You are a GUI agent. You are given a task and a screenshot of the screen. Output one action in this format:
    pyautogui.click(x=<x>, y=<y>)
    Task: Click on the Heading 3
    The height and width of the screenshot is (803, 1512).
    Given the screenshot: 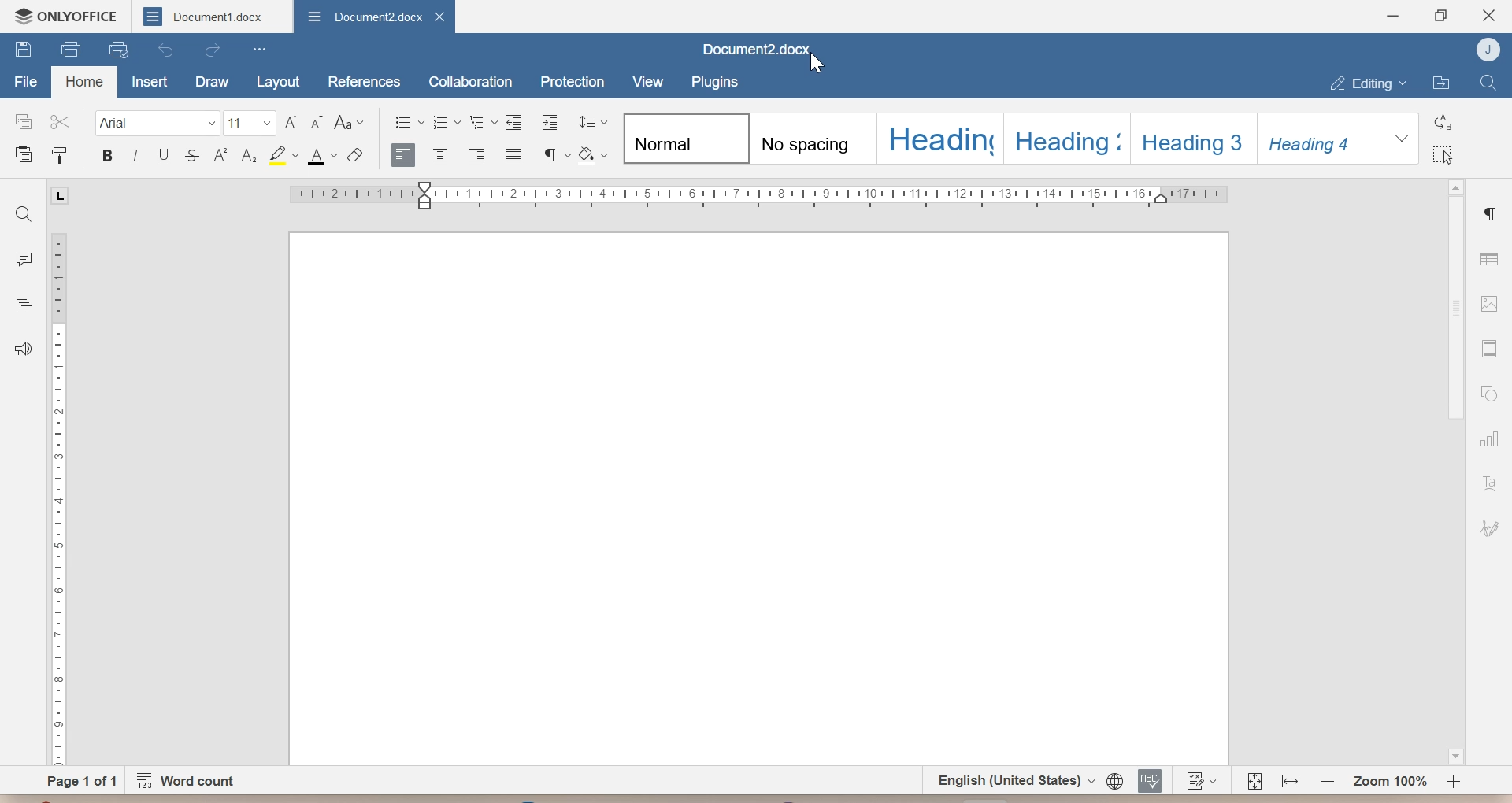 What is the action you would take?
    pyautogui.click(x=1193, y=137)
    